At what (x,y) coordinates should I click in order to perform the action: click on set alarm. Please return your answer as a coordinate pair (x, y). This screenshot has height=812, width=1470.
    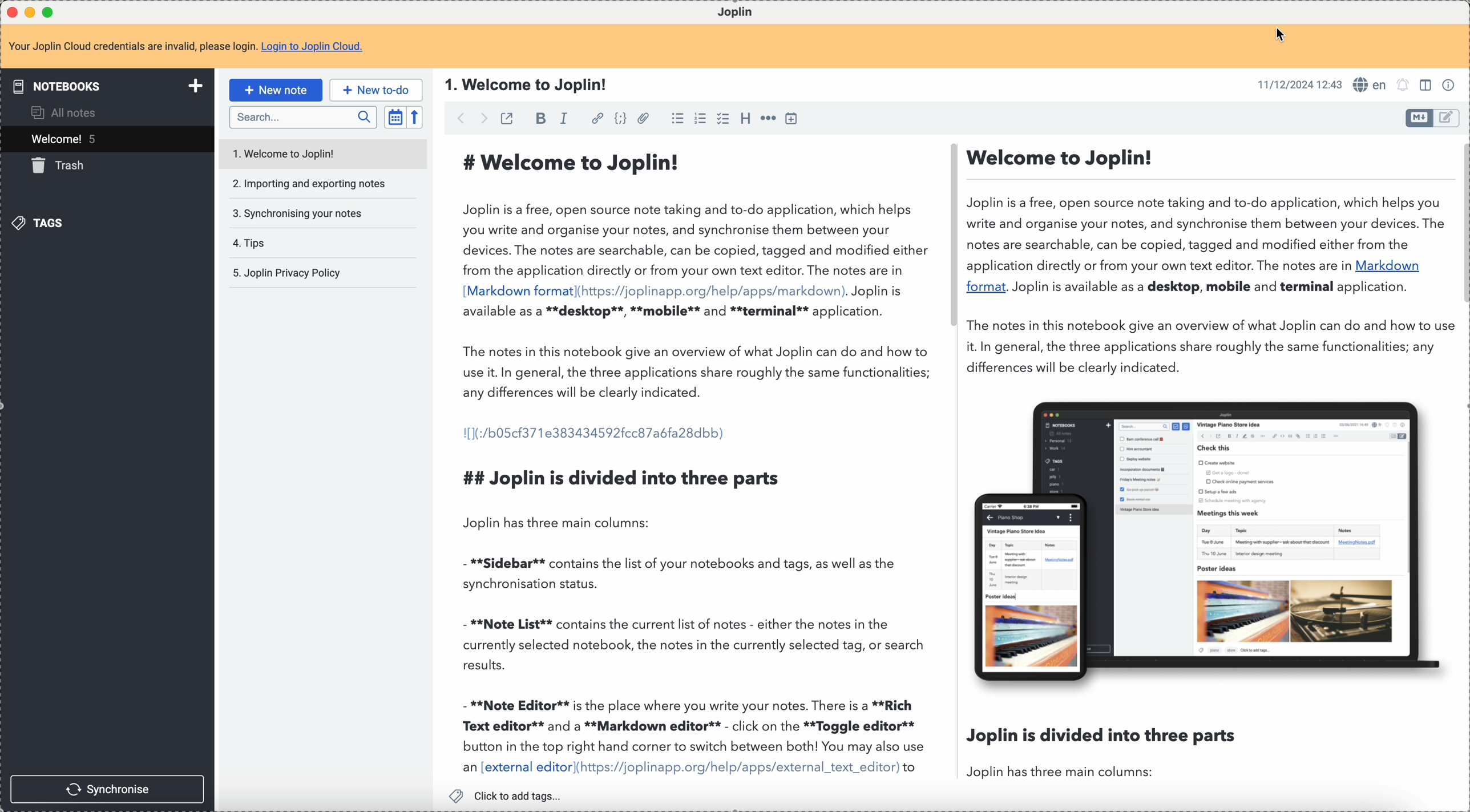
    Looking at the image, I should click on (1401, 86).